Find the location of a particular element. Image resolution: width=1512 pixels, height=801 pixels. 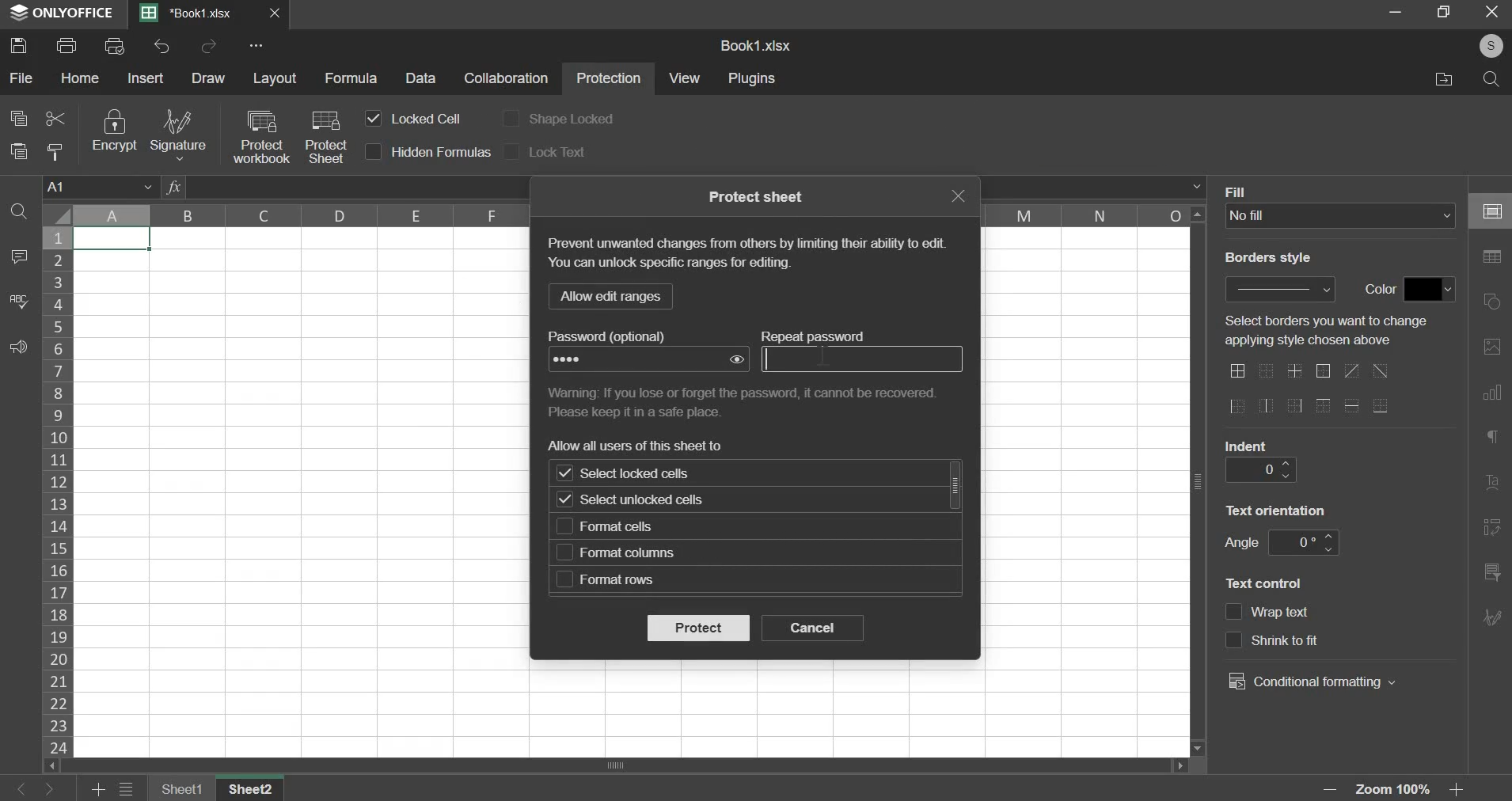

checkbox is located at coordinates (564, 499).